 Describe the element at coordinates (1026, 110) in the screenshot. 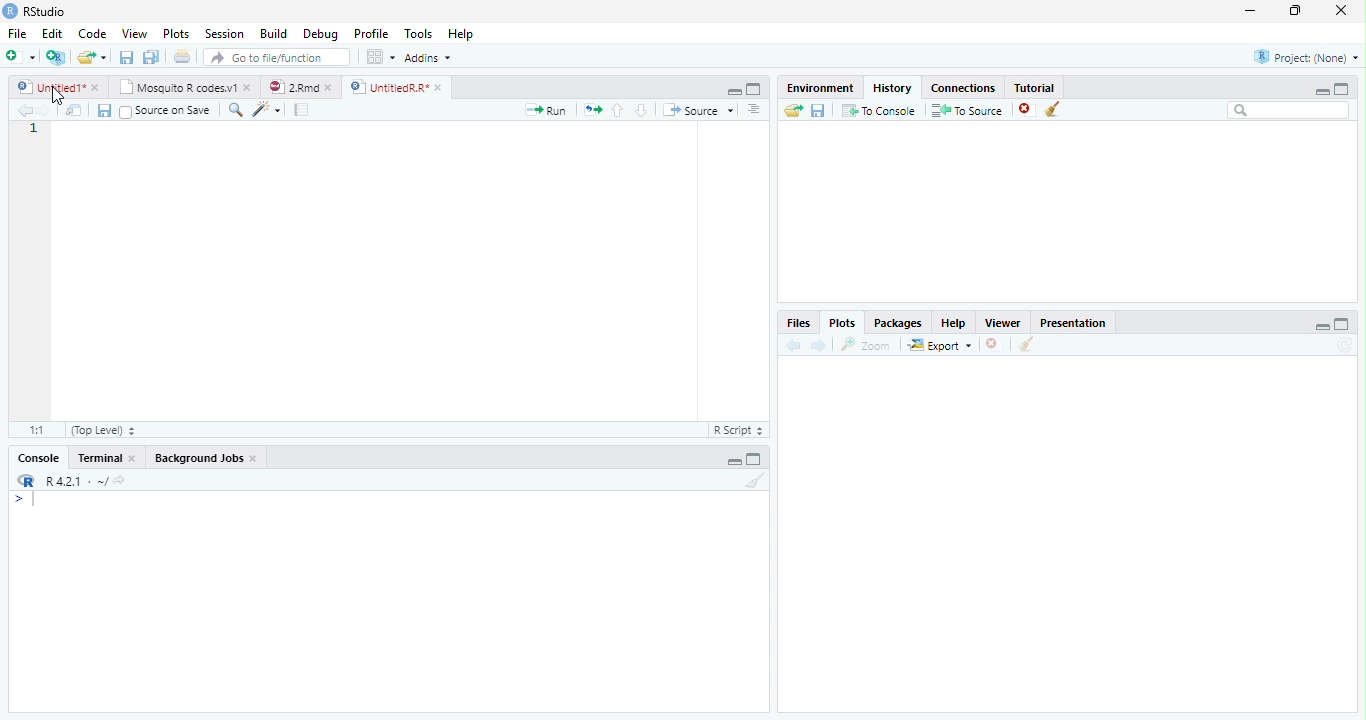

I see `Remove the selected history entries` at that location.